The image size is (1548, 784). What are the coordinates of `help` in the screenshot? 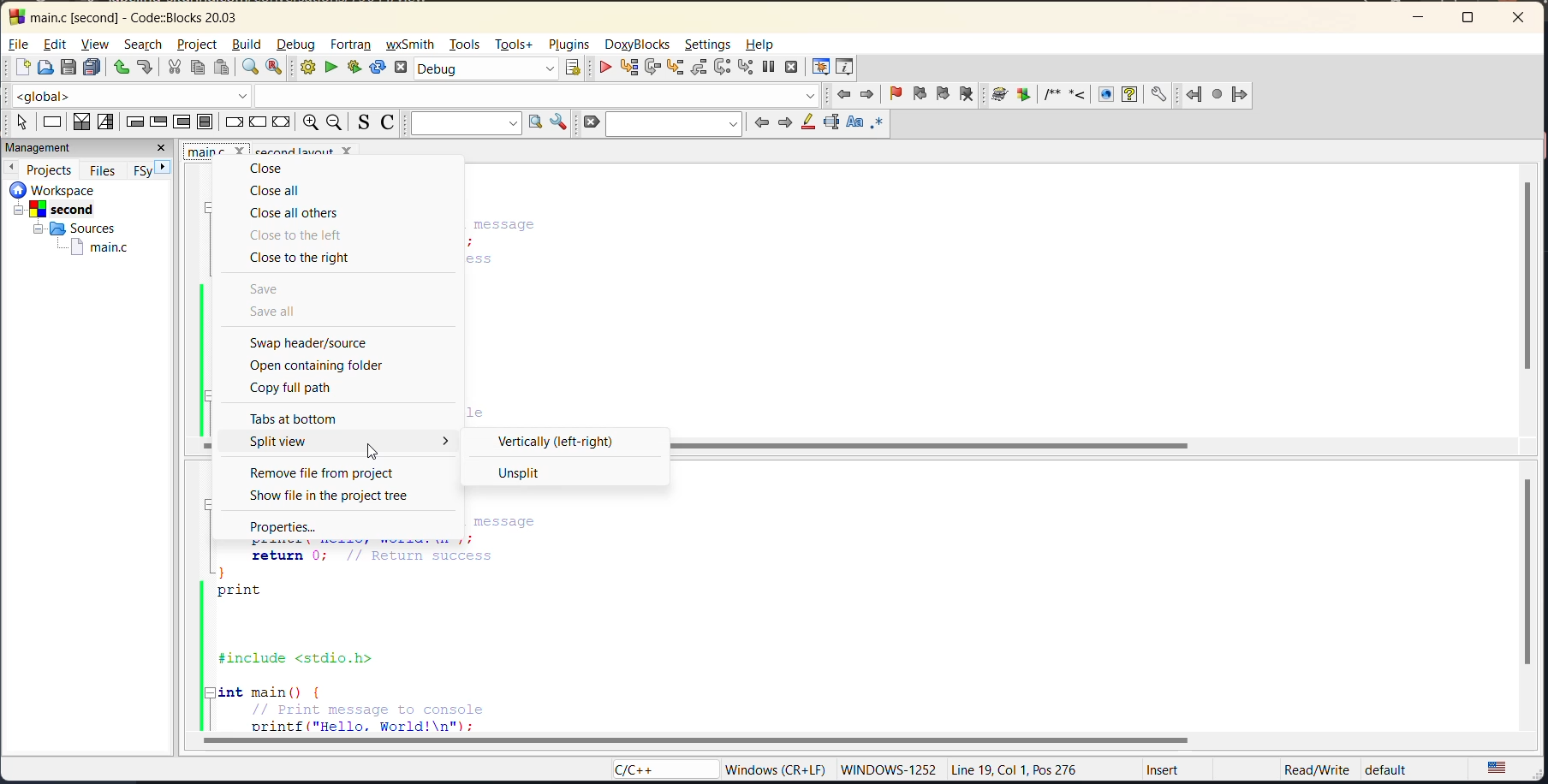 It's located at (760, 43).